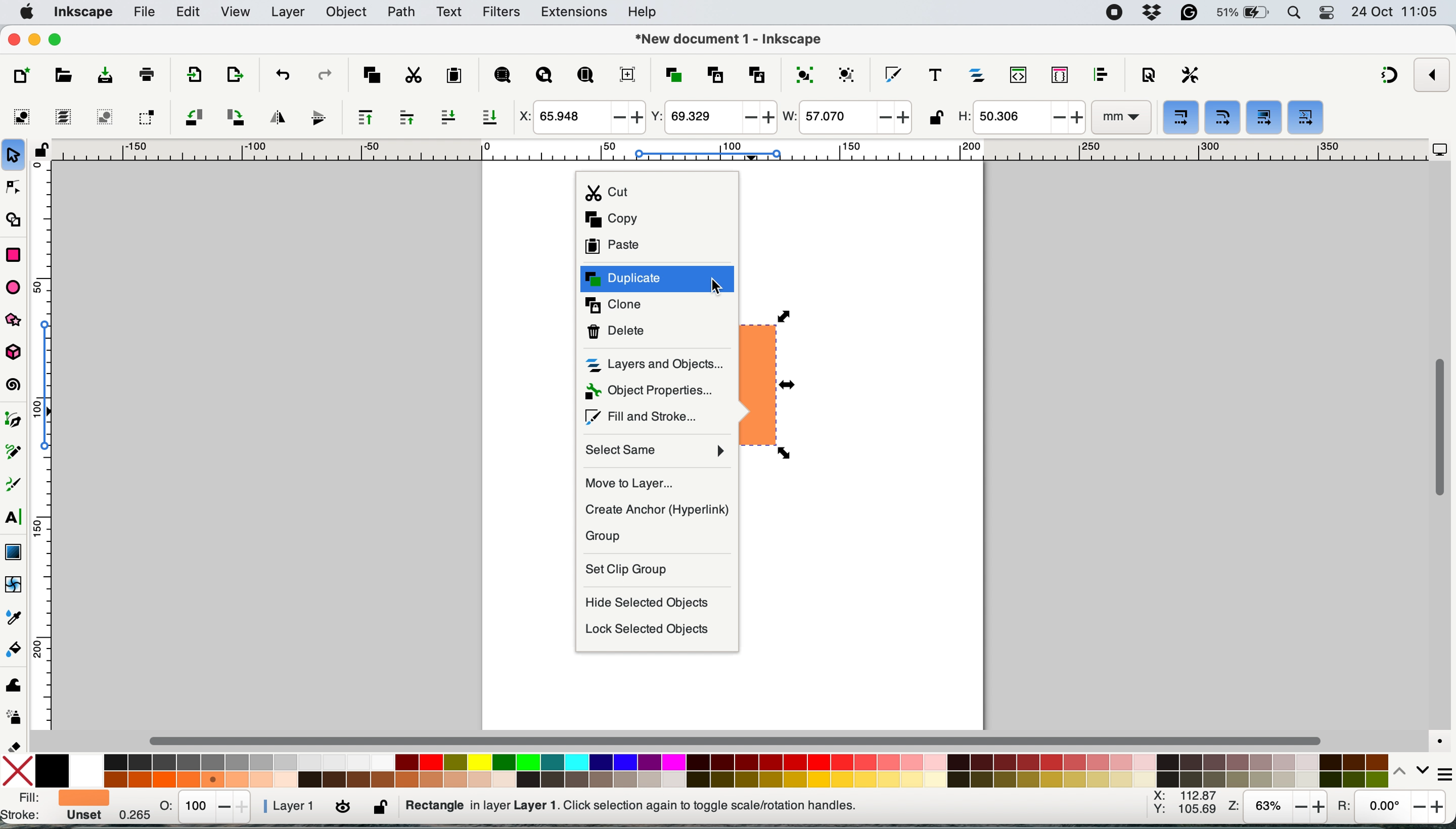 The width and height of the screenshot is (1456, 829). Describe the element at coordinates (1101, 75) in the screenshot. I see `align and distribute` at that location.